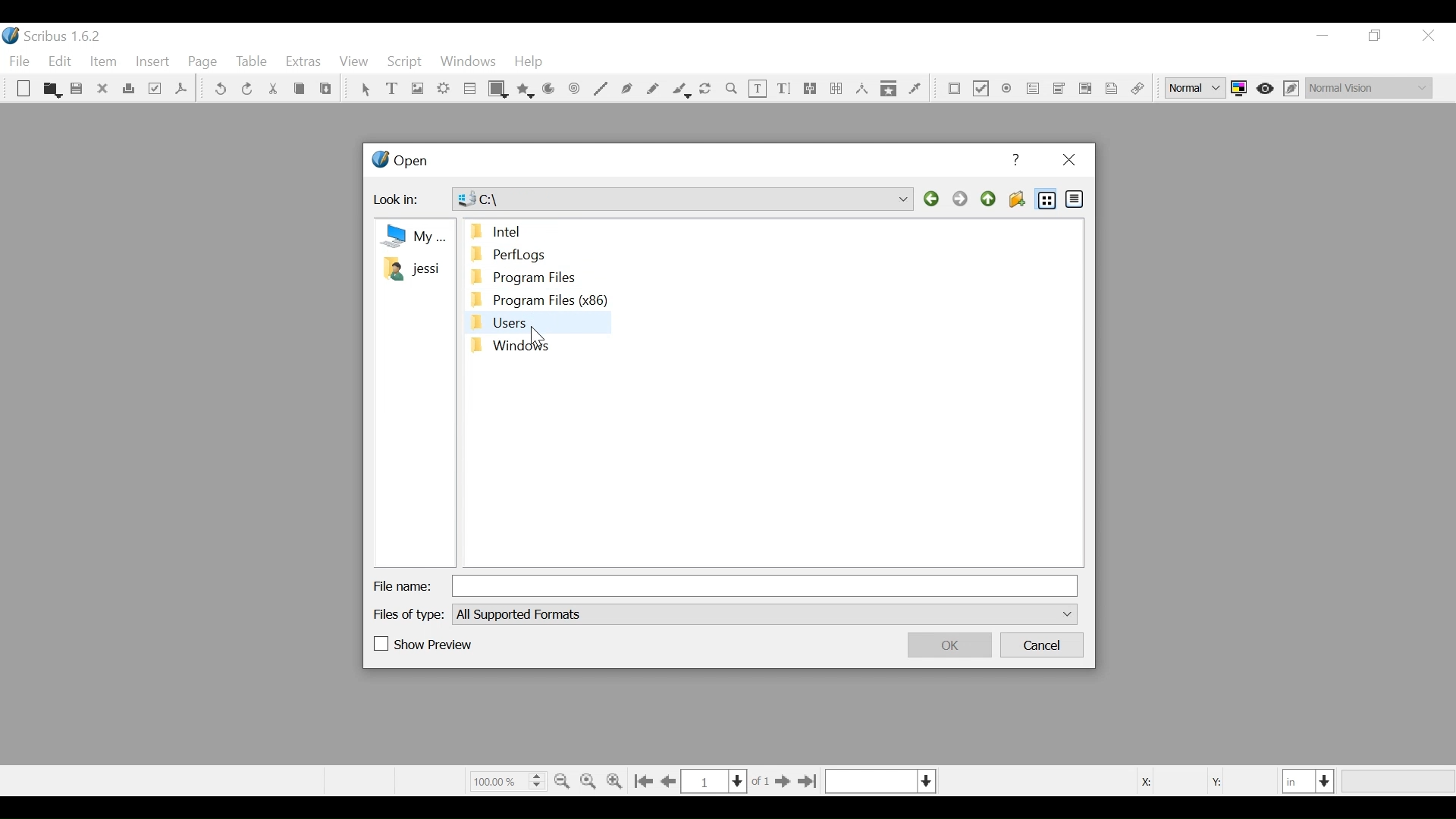 Image resolution: width=1456 pixels, height=819 pixels. I want to click on Create Folder, so click(1016, 199).